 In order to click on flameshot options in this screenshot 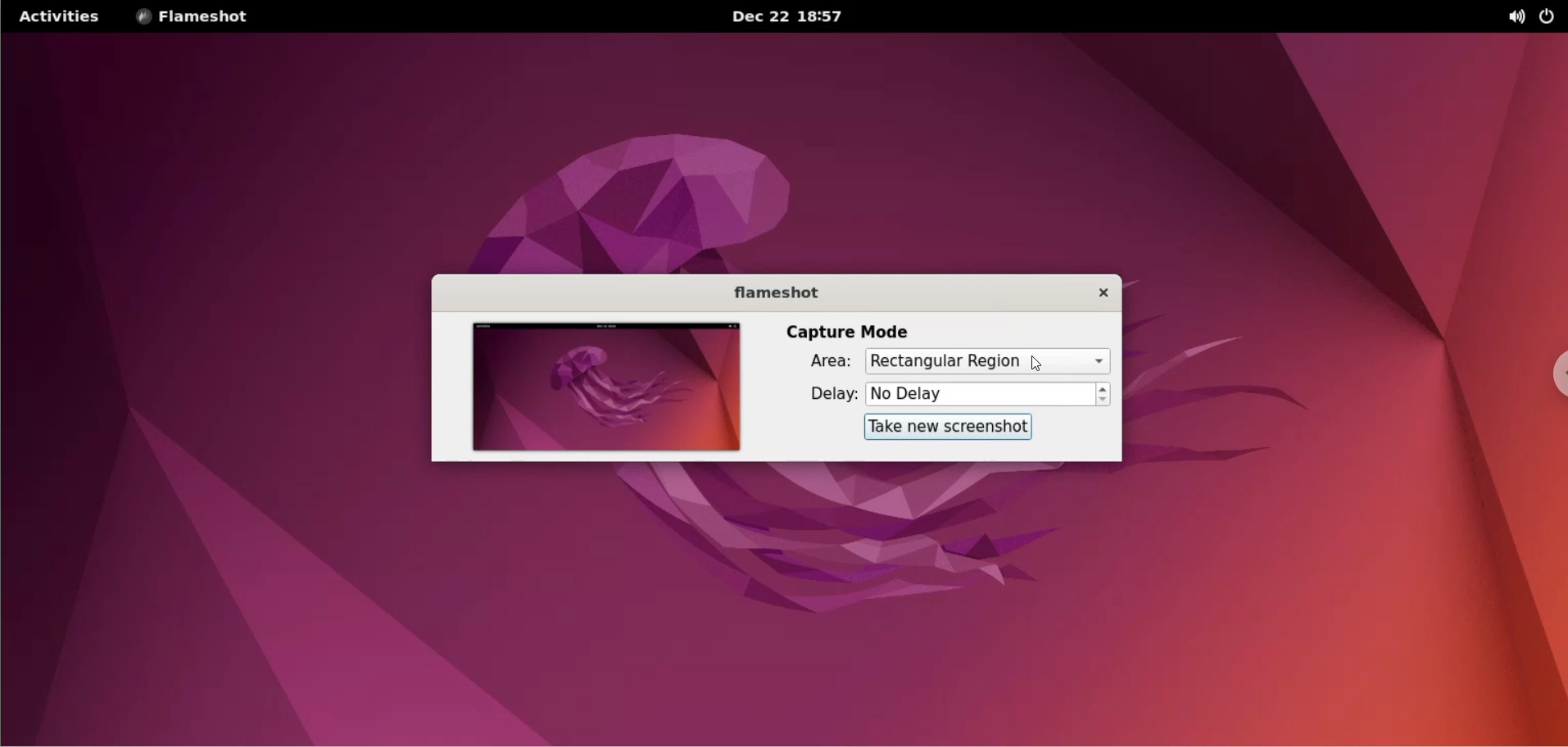, I will do `click(197, 16)`.